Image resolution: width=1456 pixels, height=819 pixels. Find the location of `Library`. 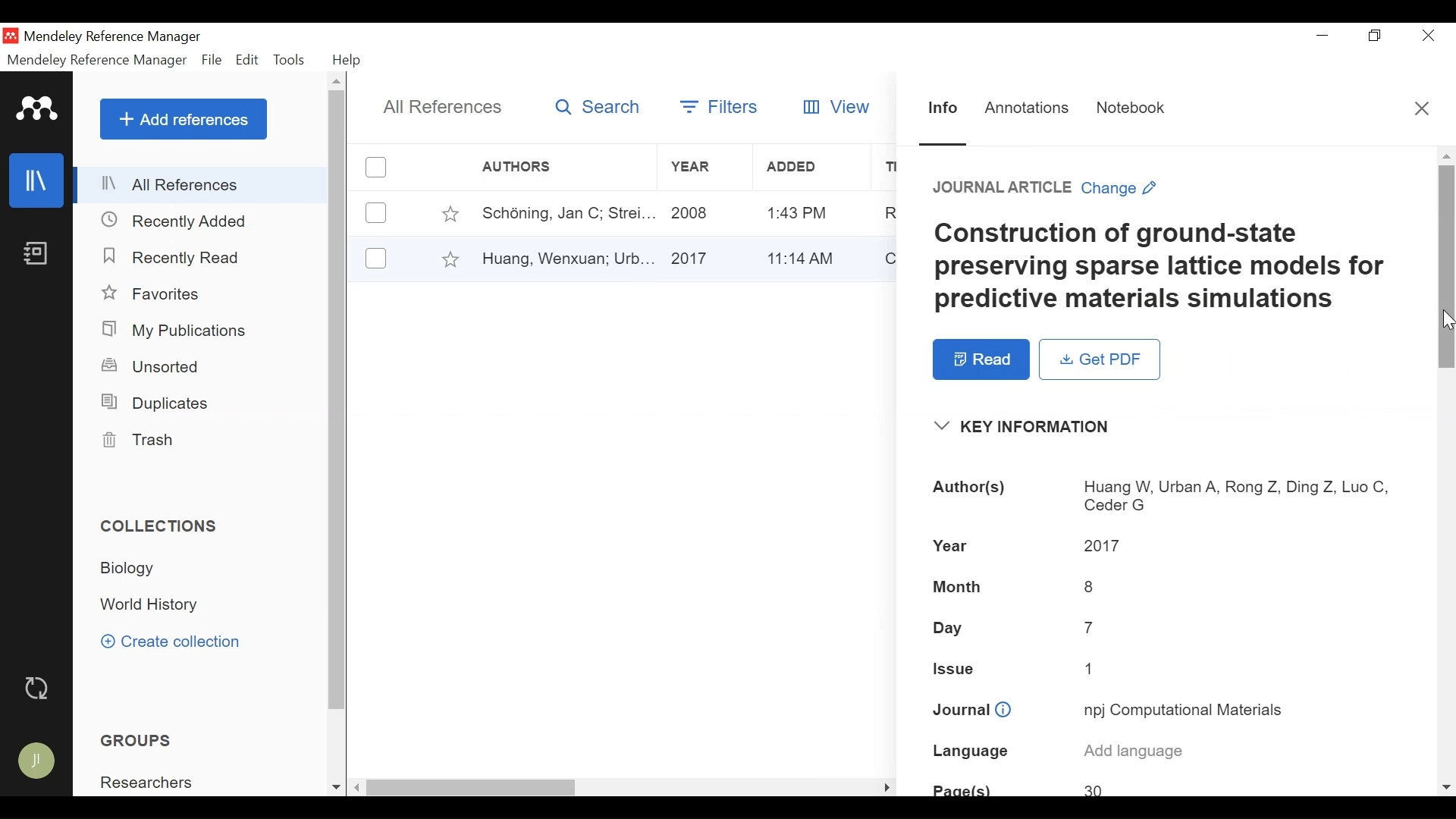

Library is located at coordinates (37, 180).